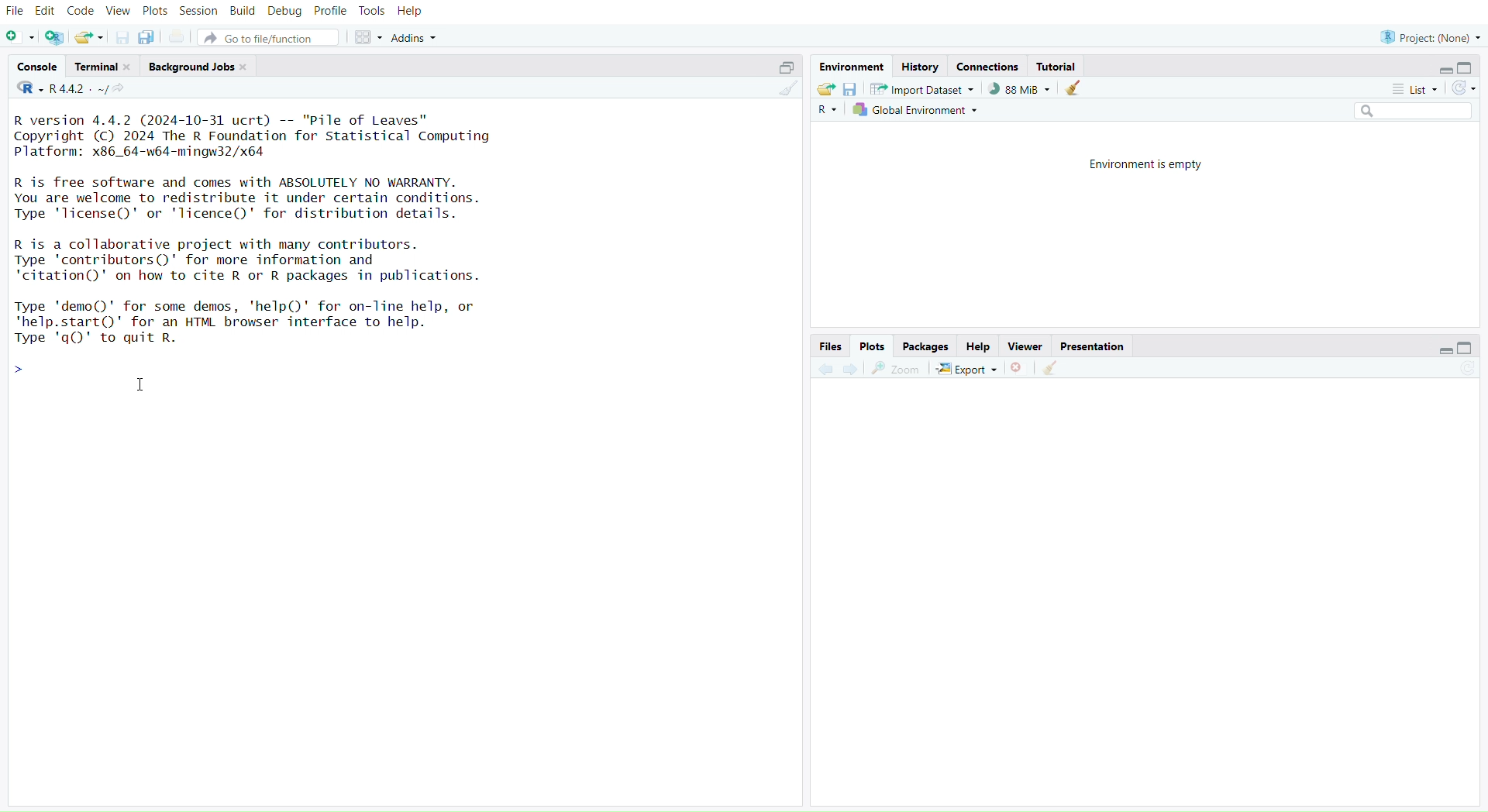  Describe the element at coordinates (1413, 89) in the screenshot. I see `list` at that location.